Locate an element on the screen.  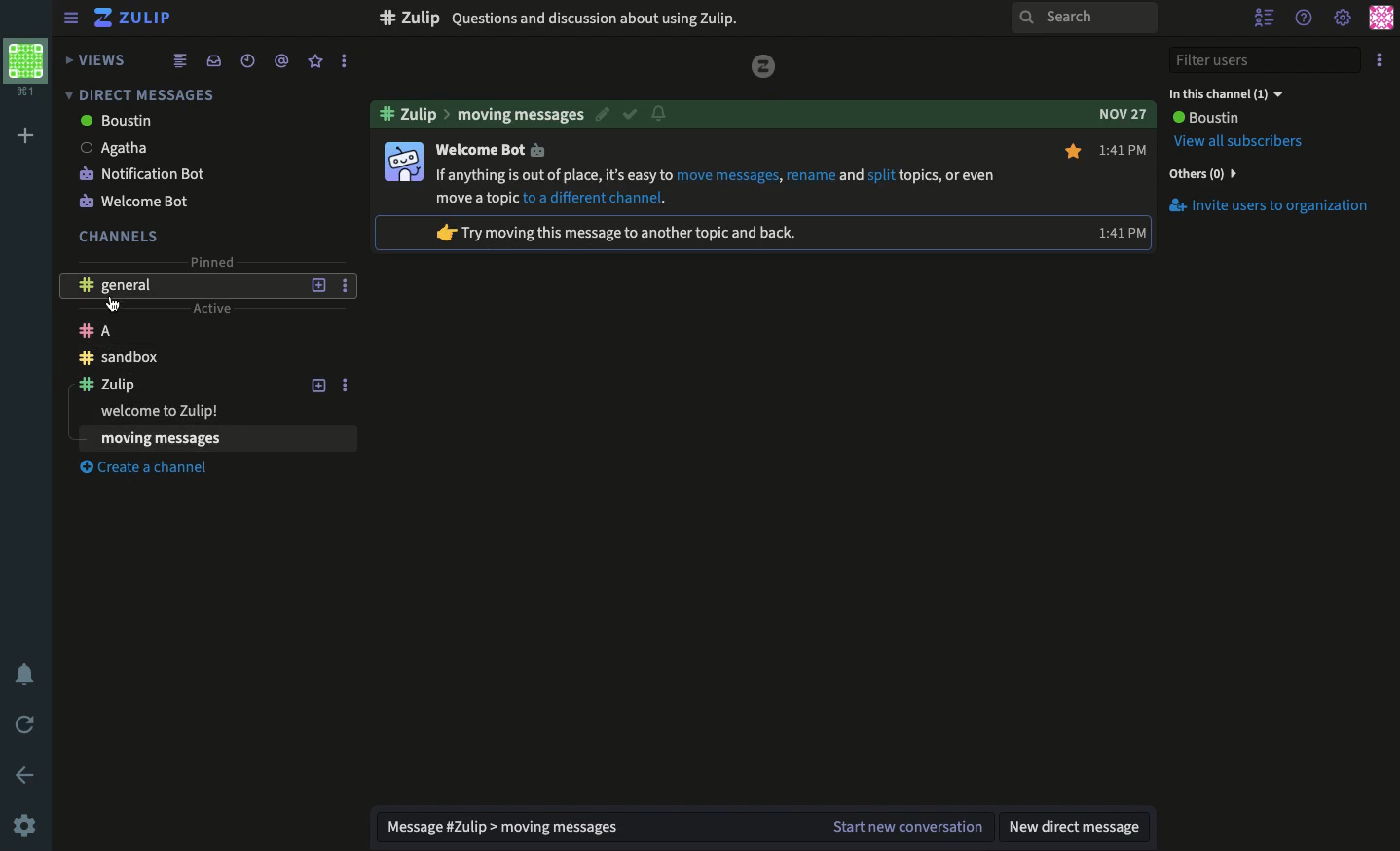
Moving messages is located at coordinates (203, 438).